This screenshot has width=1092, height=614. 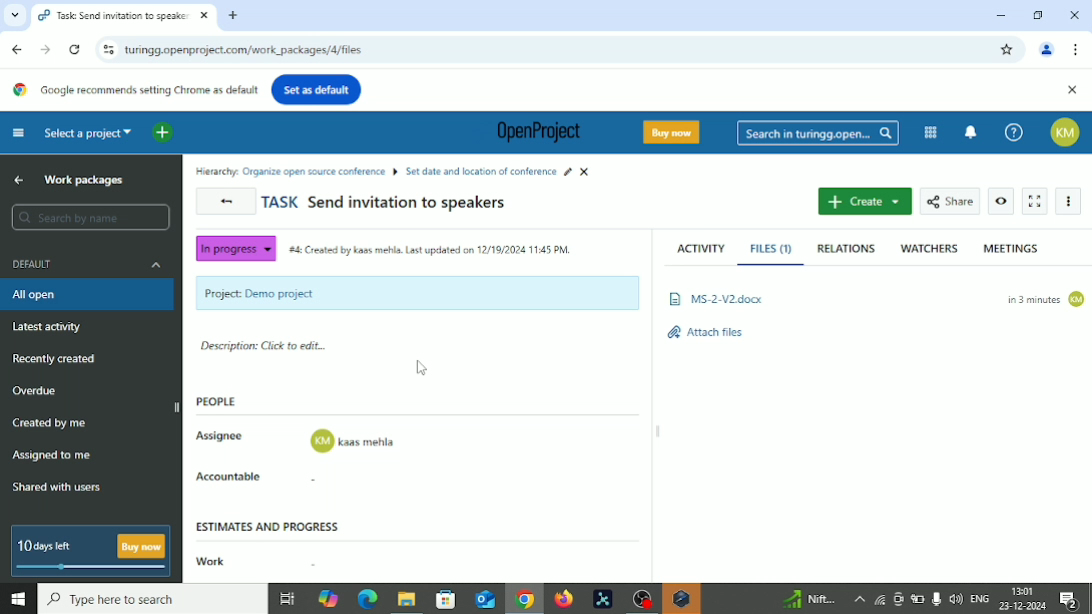 What do you see at coordinates (877, 599) in the screenshot?
I see `Wifi` at bounding box center [877, 599].